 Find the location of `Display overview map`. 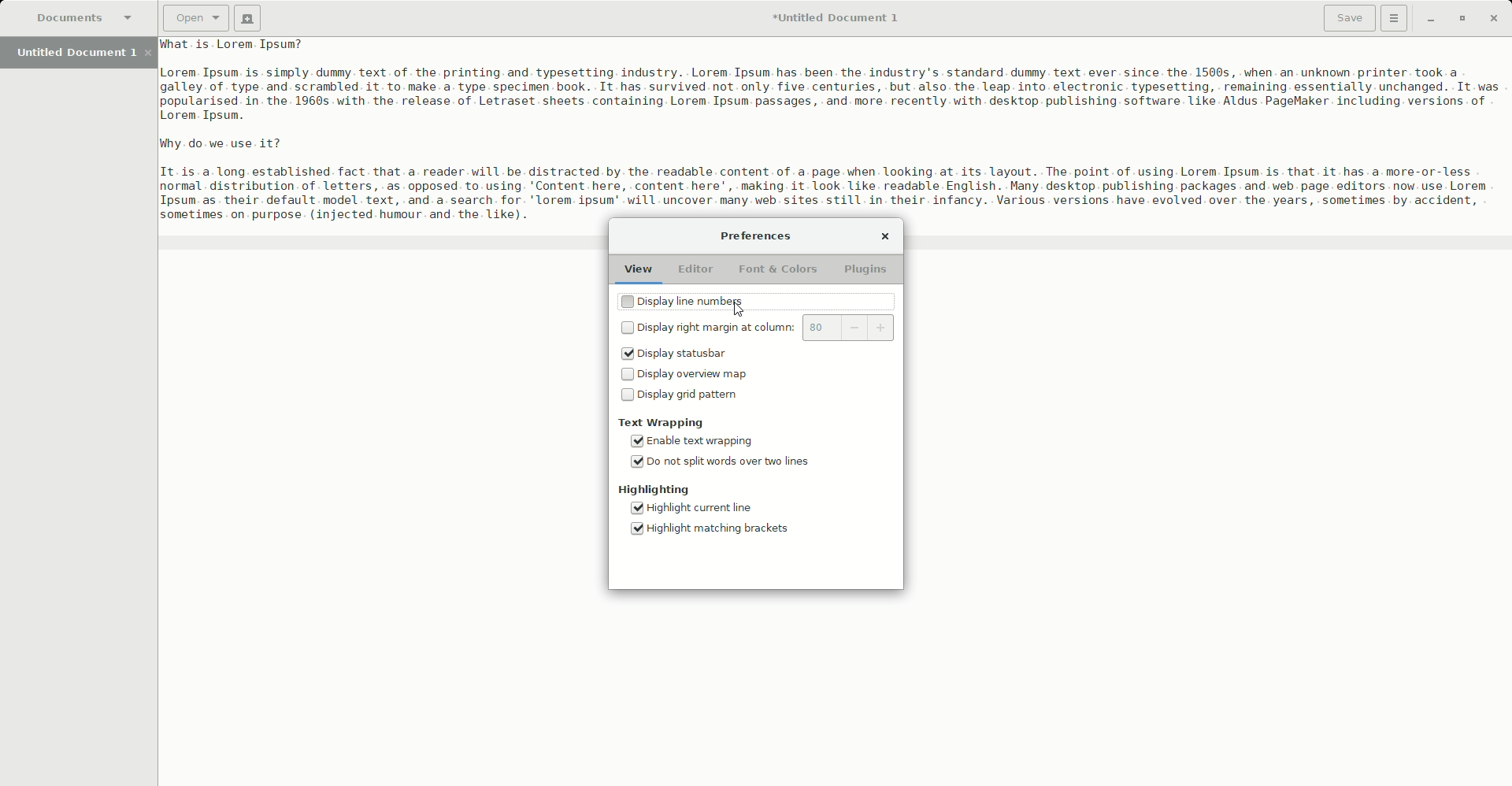

Display overview map is located at coordinates (684, 376).